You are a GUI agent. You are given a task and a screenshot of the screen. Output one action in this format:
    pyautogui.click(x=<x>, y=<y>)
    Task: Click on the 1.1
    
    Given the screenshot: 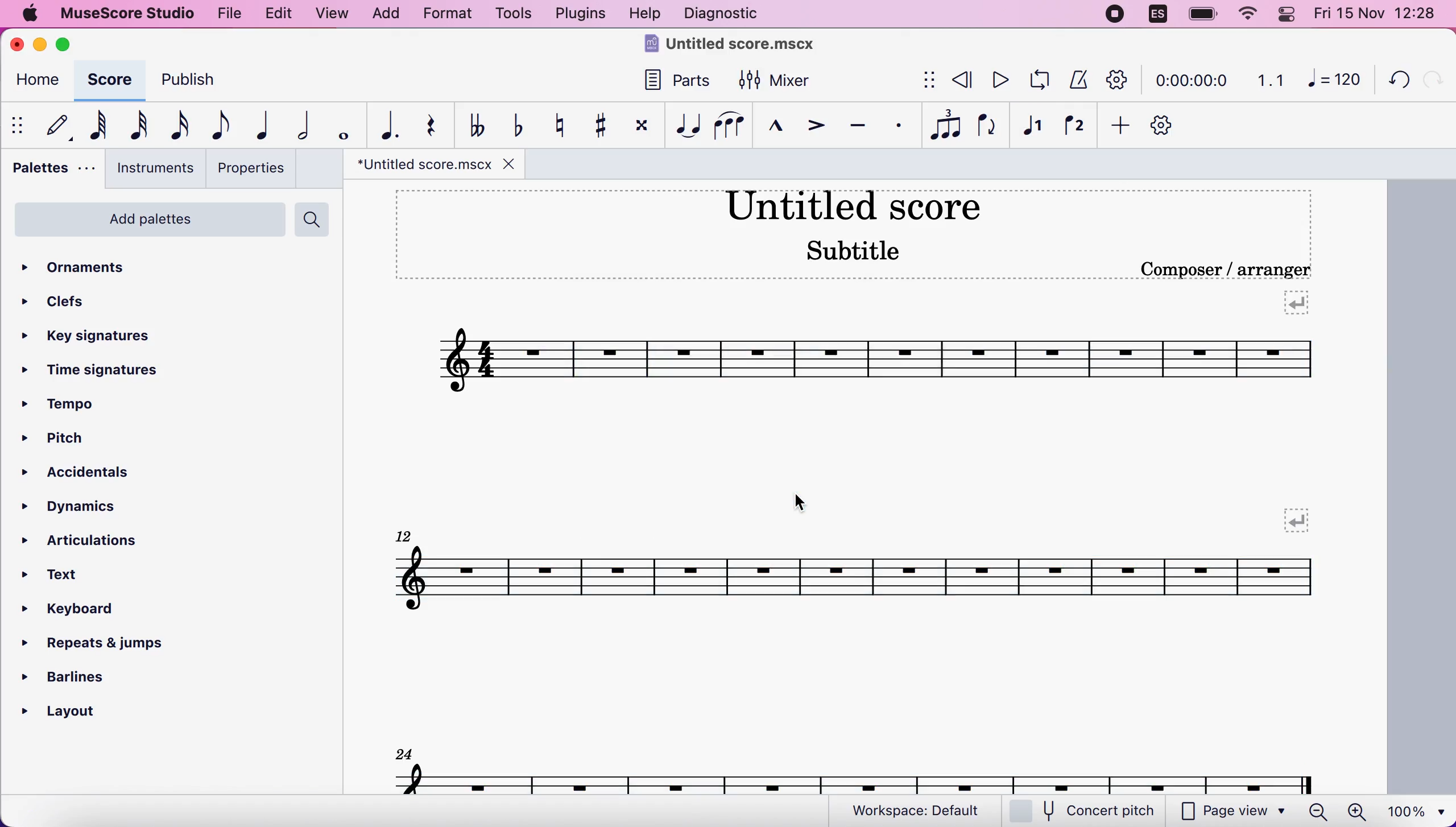 What is the action you would take?
    pyautogui.click(x=1271, y=80)
    